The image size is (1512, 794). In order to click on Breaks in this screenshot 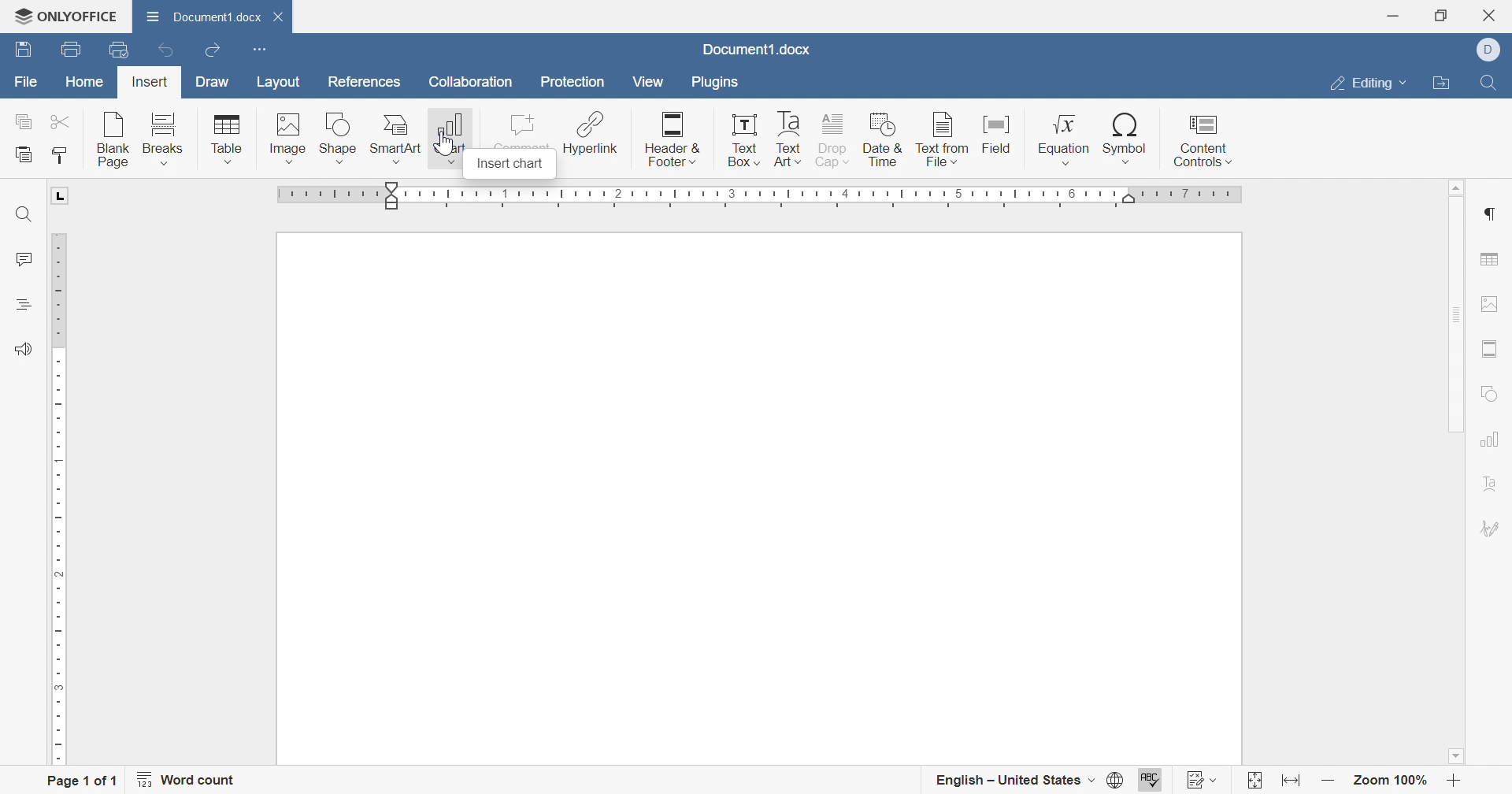, I will do `click(164, 138)`.